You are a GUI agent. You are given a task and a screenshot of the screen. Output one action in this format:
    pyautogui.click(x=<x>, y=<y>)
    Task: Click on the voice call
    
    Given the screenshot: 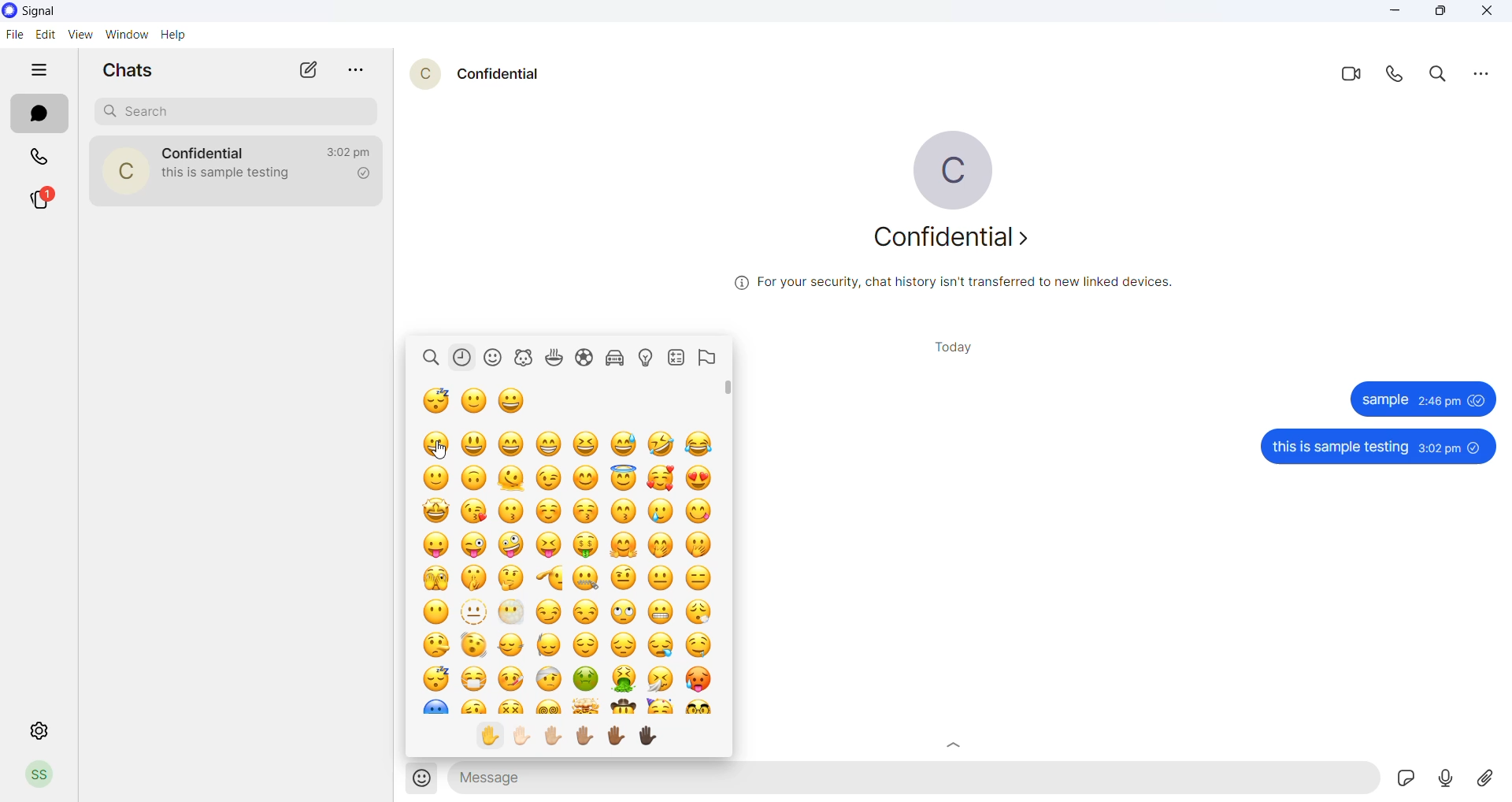 What is the action you would take?
    pyautogui.click(x=1395, y=76)
    